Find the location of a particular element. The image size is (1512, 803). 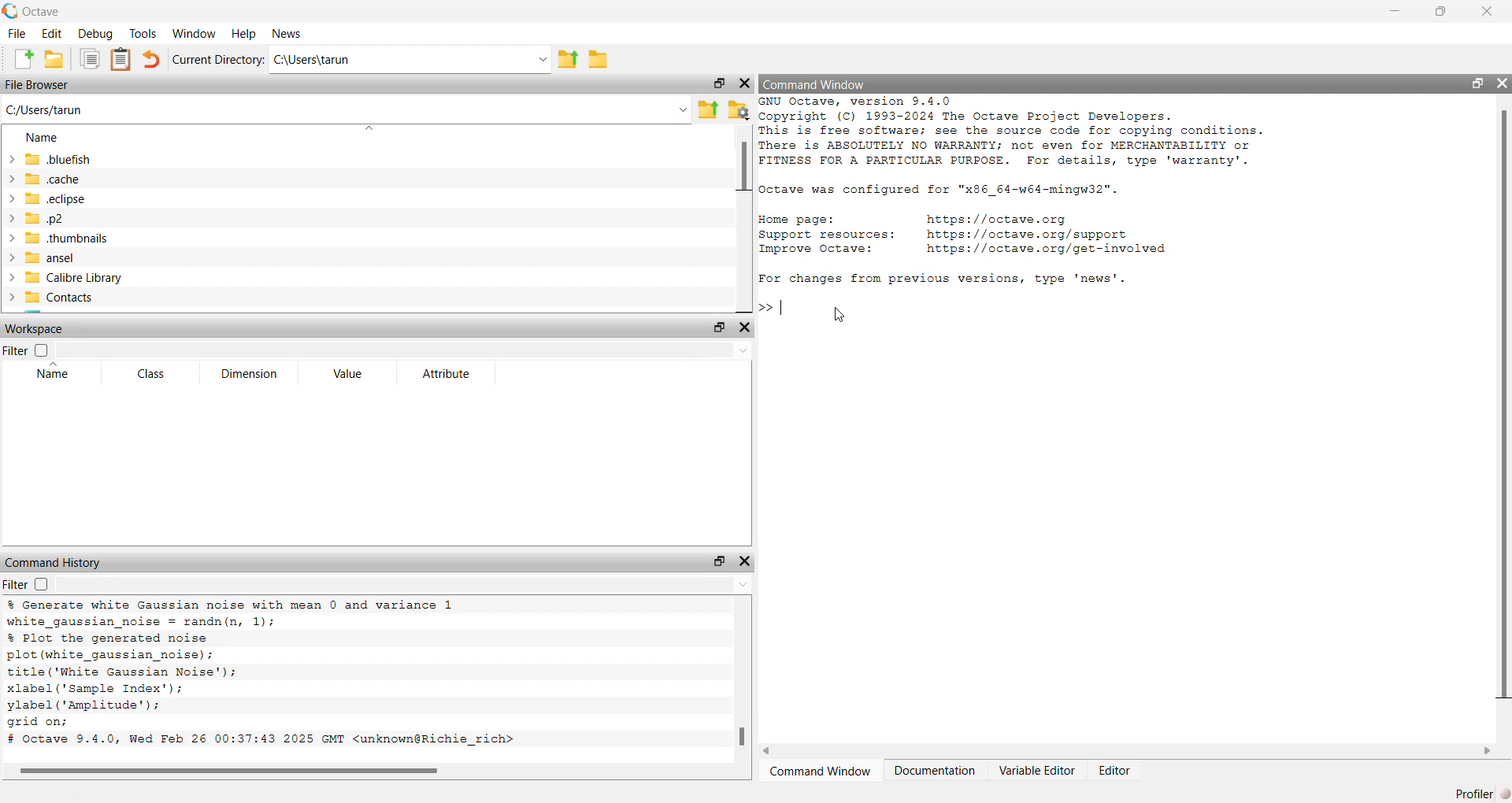

Value is located at coordinates (353, 372).